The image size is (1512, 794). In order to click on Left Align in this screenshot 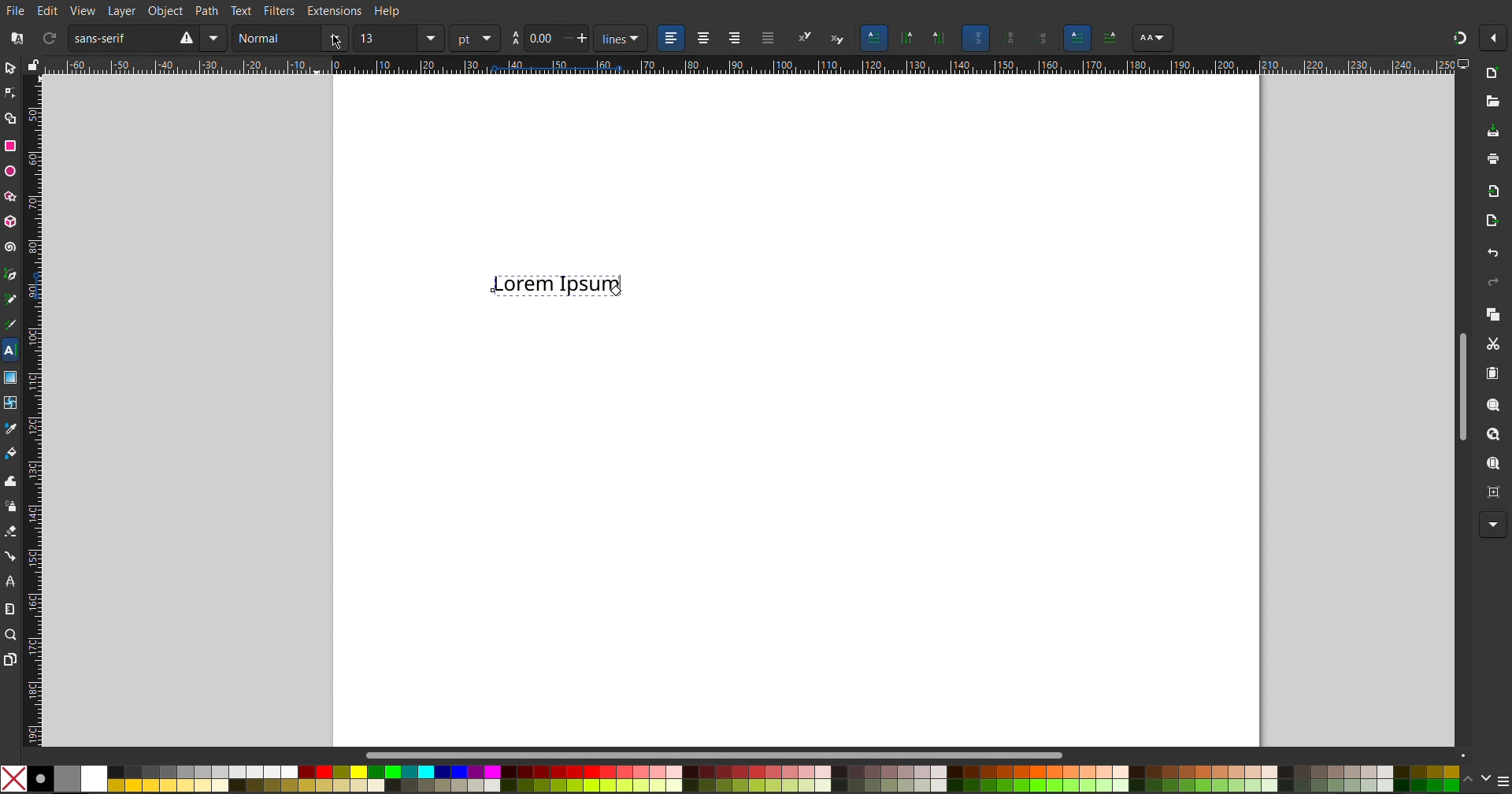, I will do `click(672, 39)`.